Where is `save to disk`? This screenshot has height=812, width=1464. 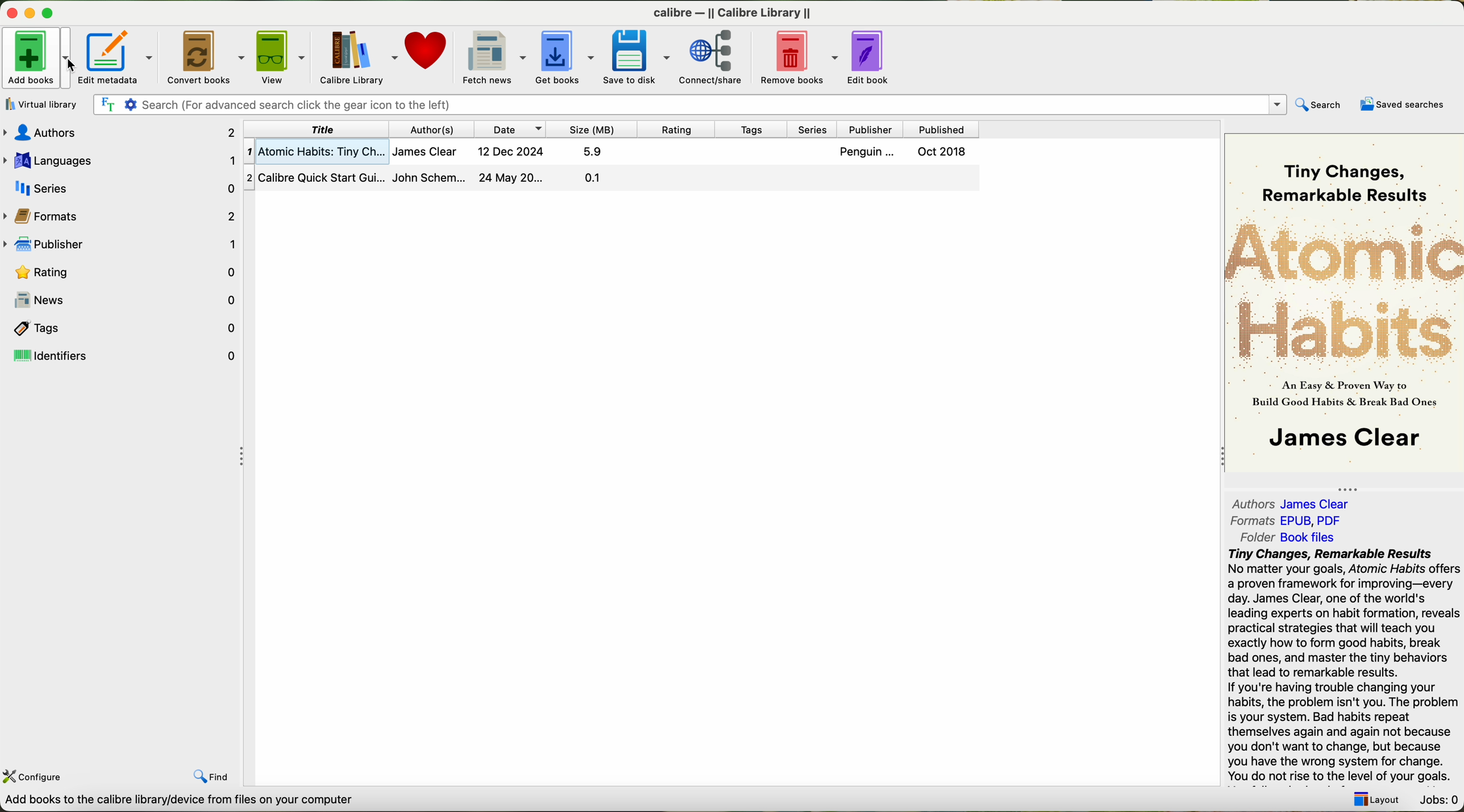 save to disk is located at coordinates (637, 57).